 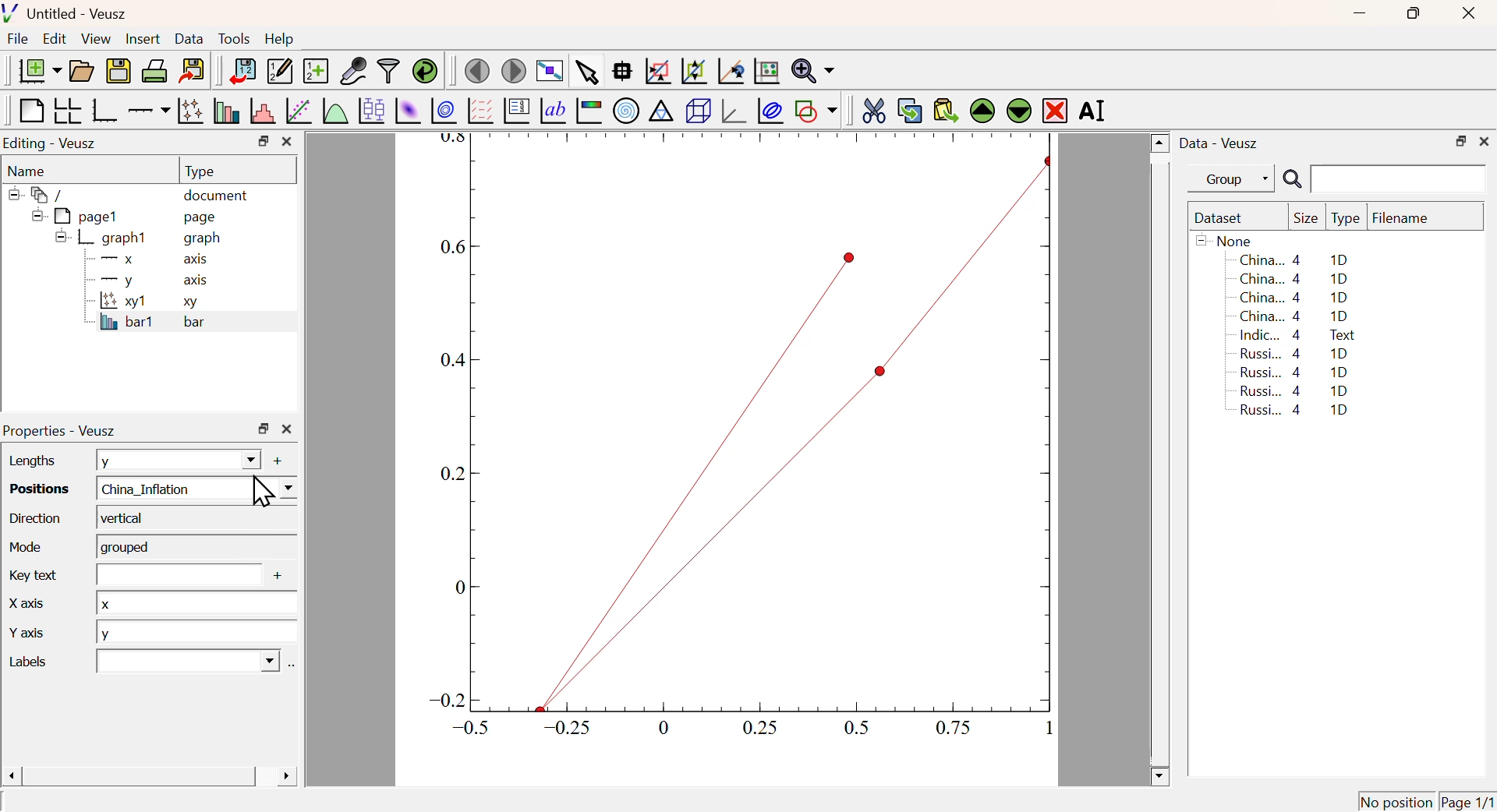 What do you see at coordinates (813, 69) in the screenshot?
I see `Zoom function menu` at bounding box center [813, 69].